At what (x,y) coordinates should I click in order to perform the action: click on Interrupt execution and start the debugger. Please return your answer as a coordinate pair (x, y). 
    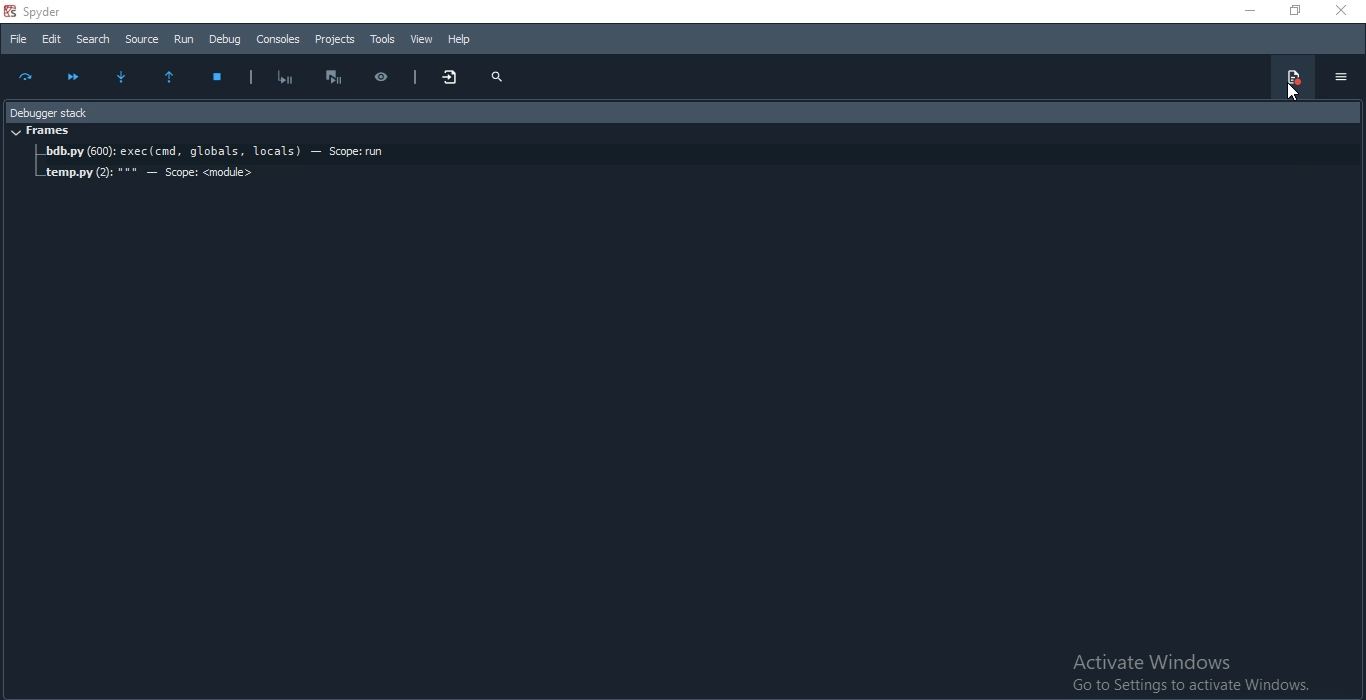
    Looking at the image, I should click on (340, 77).